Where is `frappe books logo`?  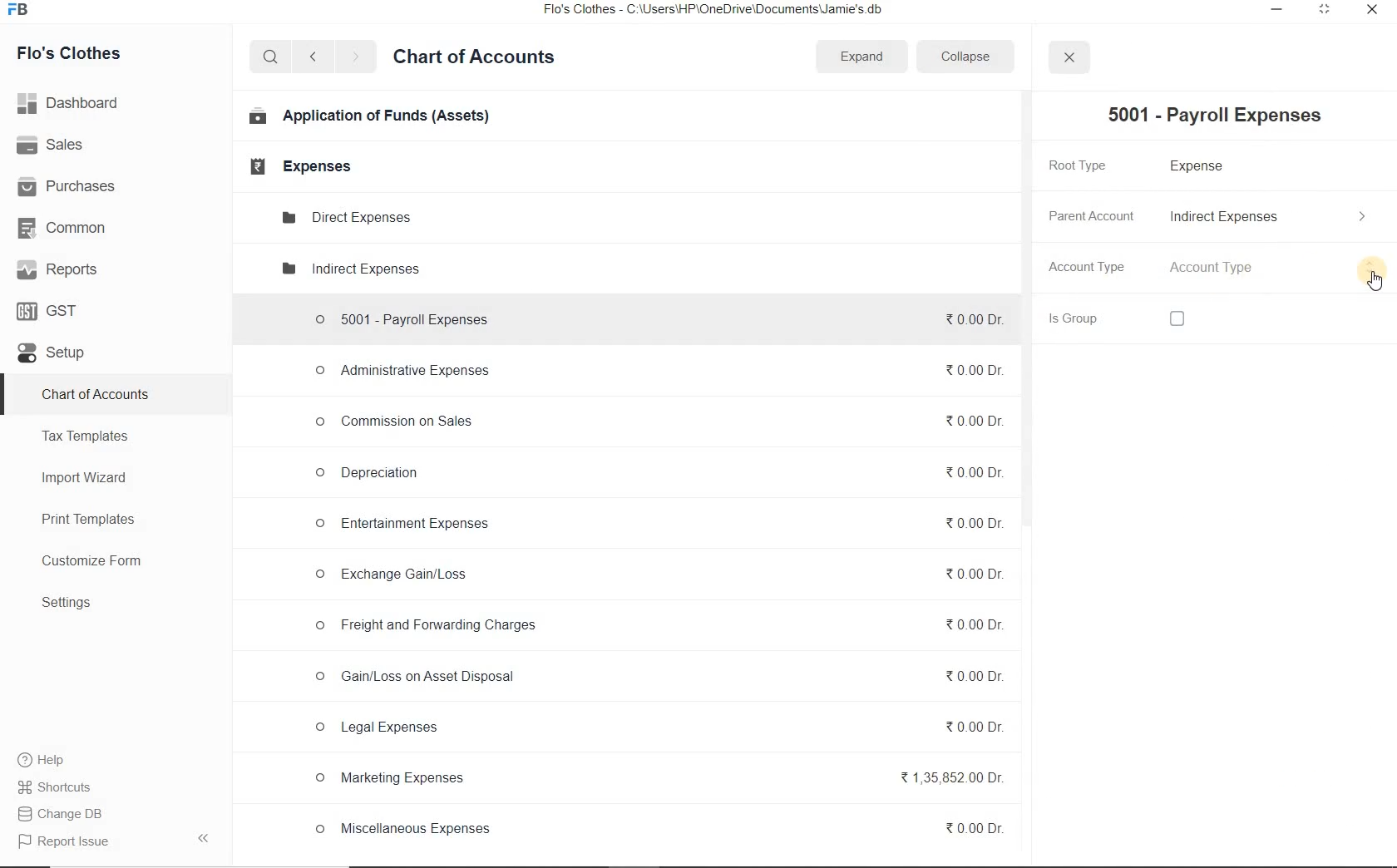
frappe books logo is located at coordinates (22, 11).